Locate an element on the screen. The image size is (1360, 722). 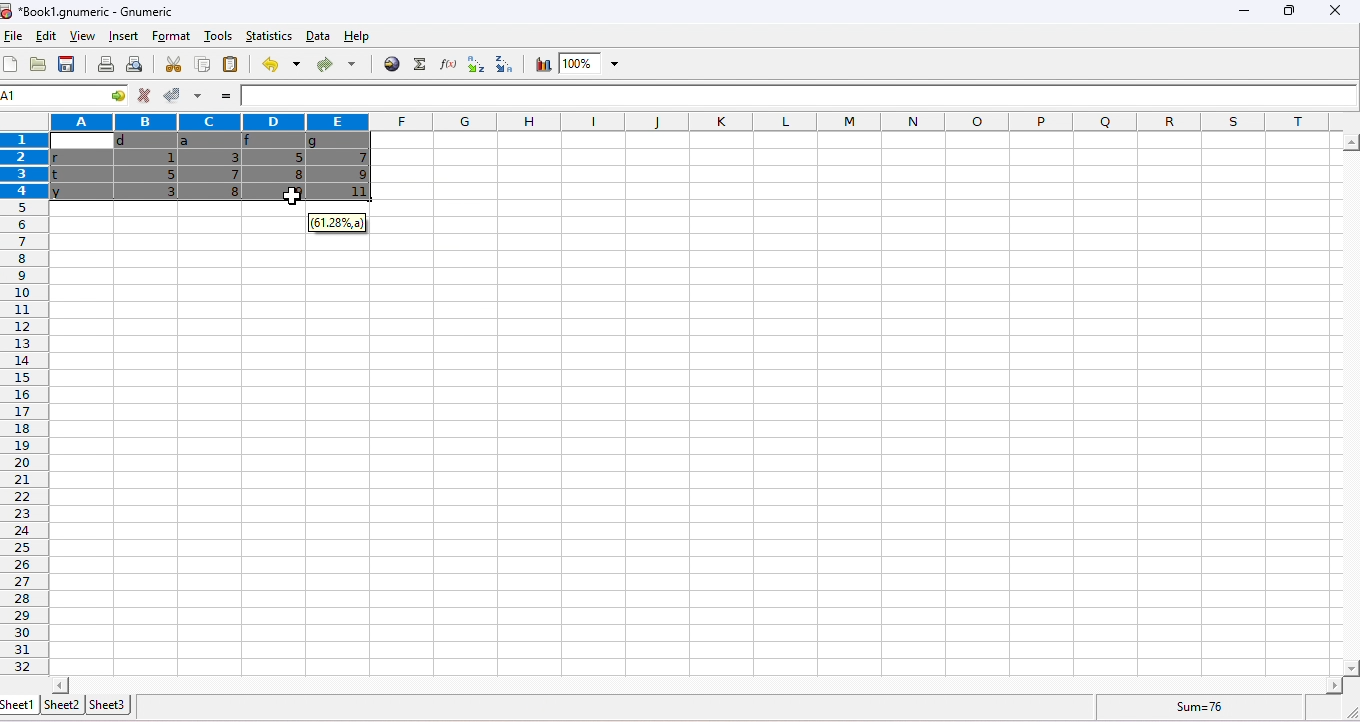
function wizard is located at coordinates (445, 64).